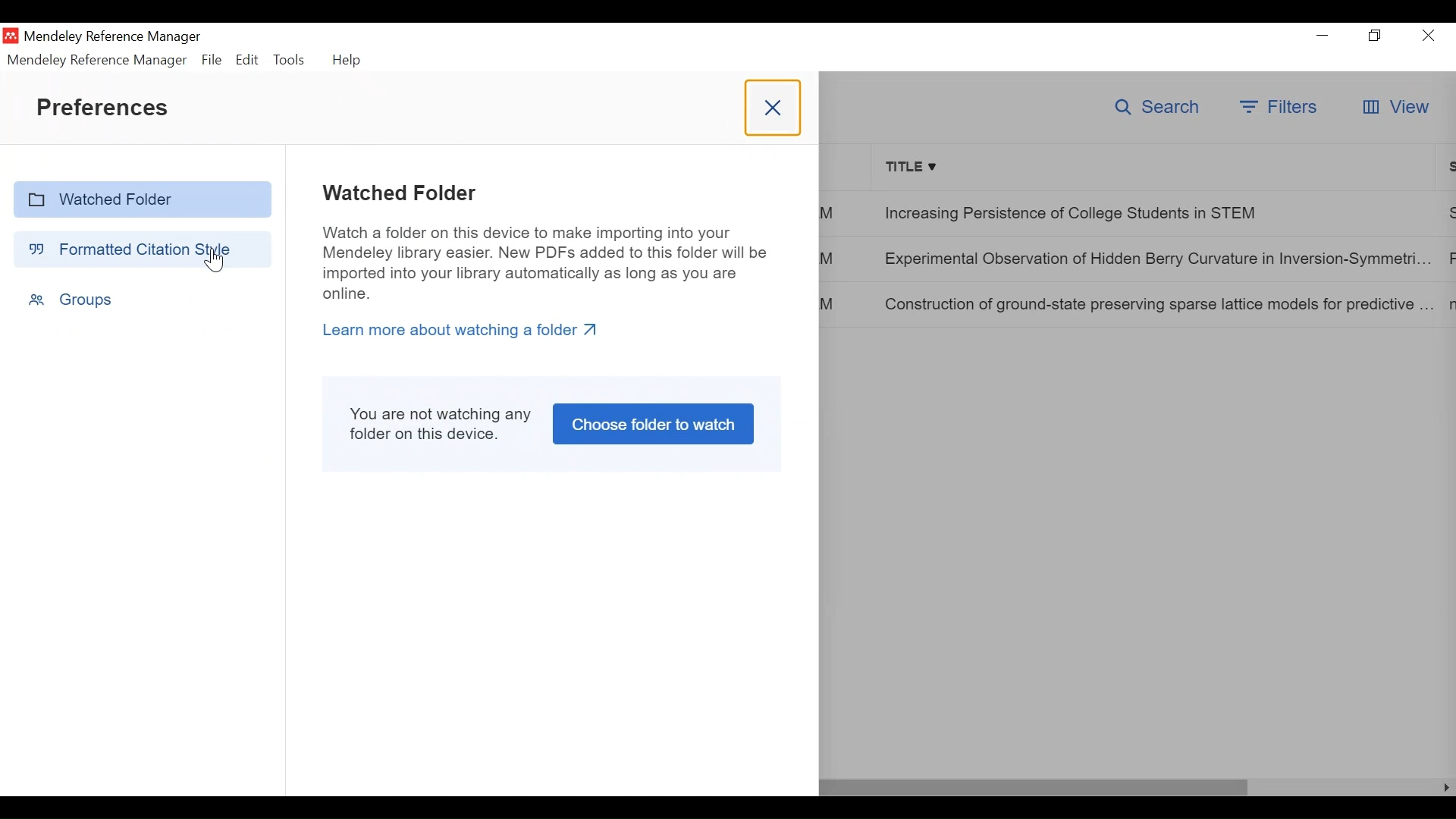 The width and height of the screenshot is (1456, 819). Describe the element at coordinates (216, 259) in the screenshot. I see `Cursor` at that location.